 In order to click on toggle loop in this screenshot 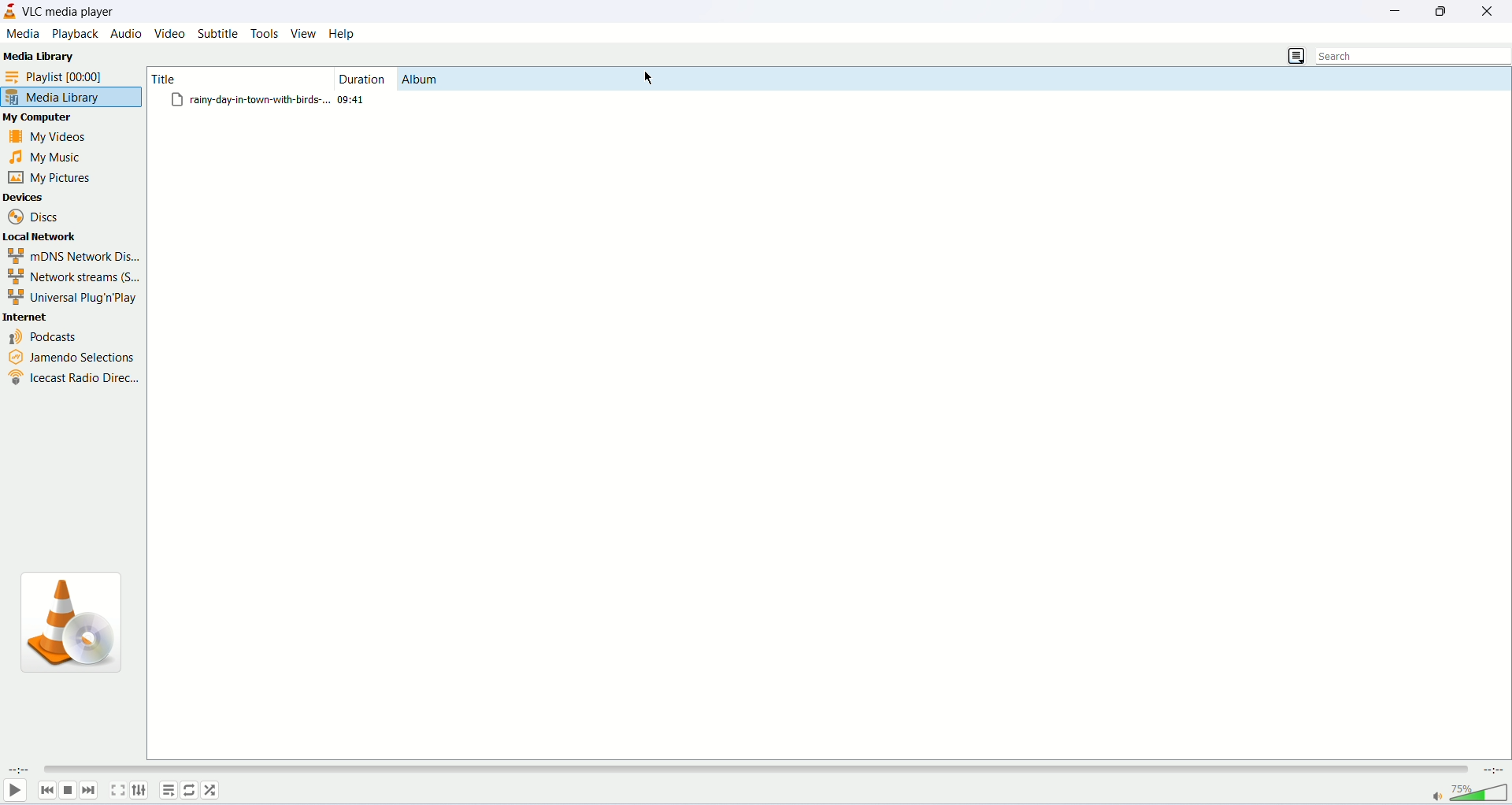, I will do `click(190, 791)`.